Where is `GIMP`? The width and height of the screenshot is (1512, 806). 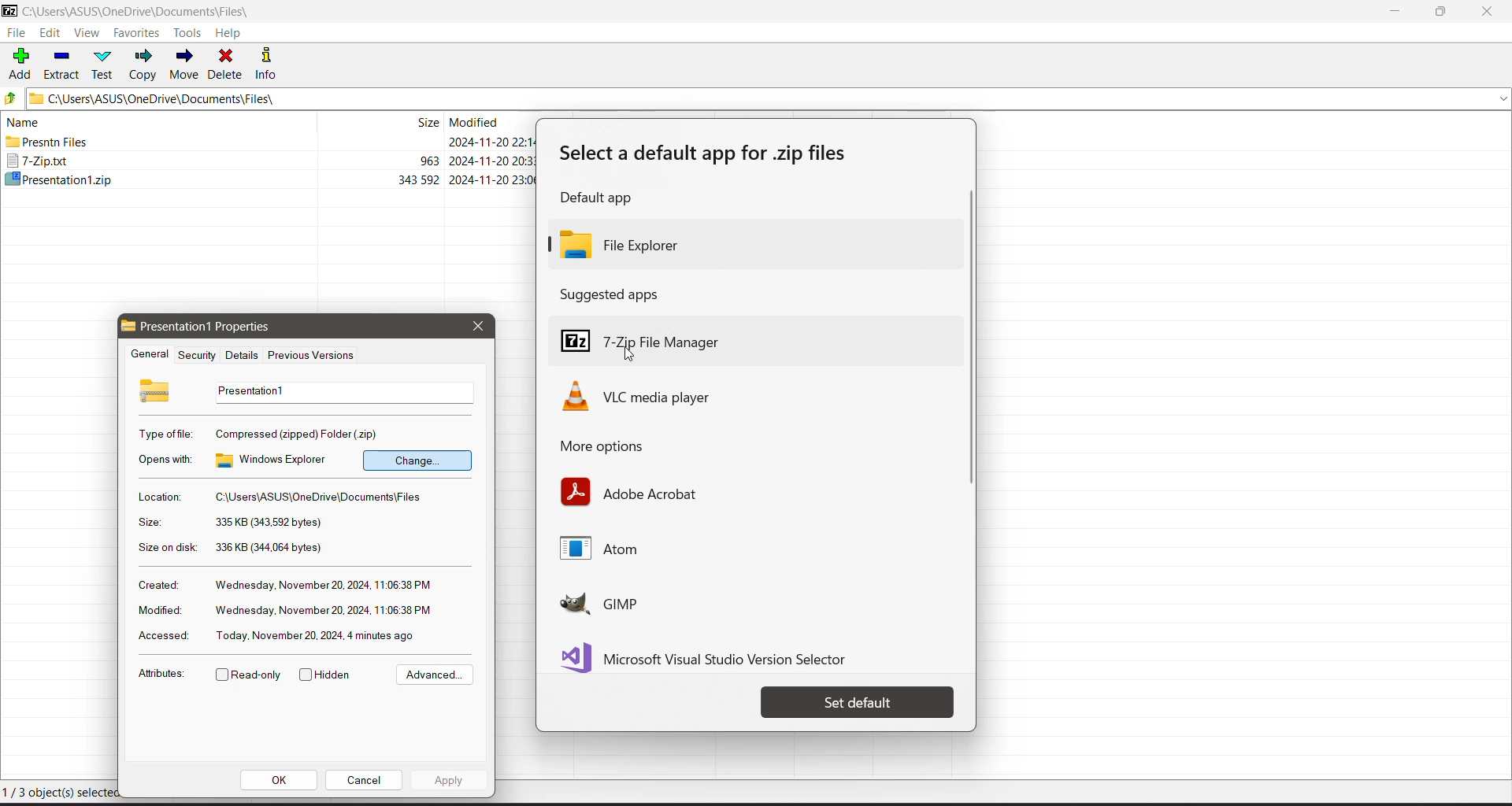
GIMP is located at coordinates (649, 604).